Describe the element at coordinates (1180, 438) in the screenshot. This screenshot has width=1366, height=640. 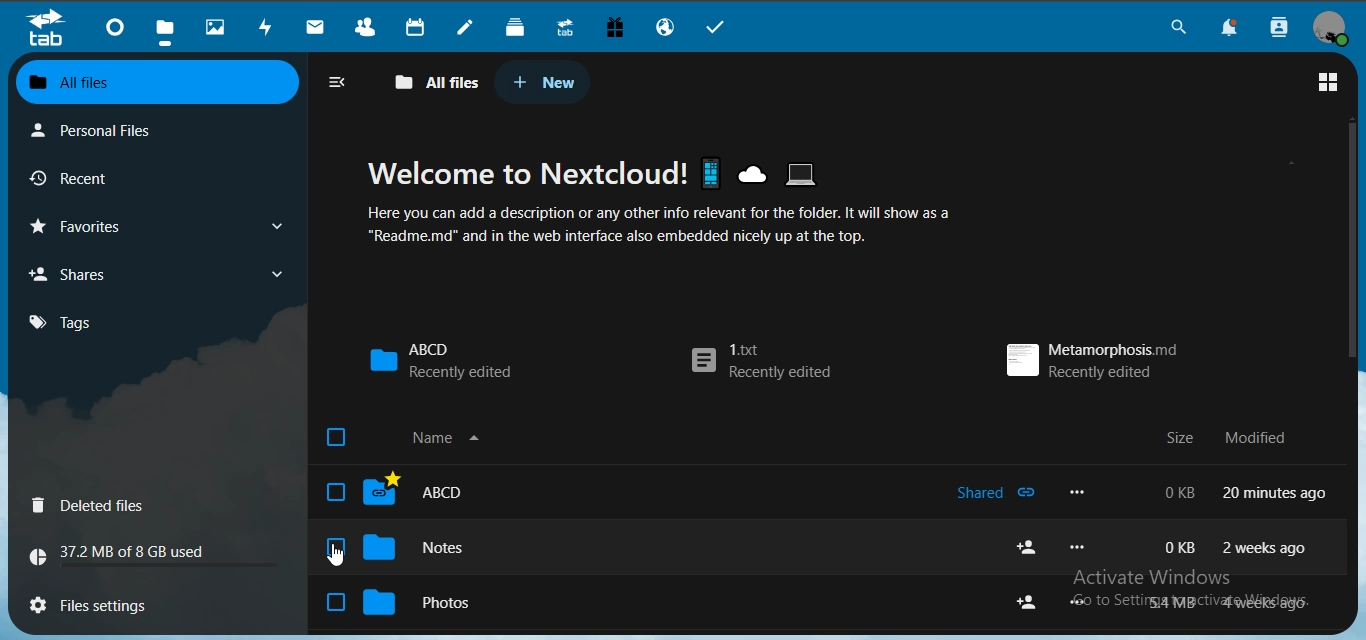
I see `Size` at that location.